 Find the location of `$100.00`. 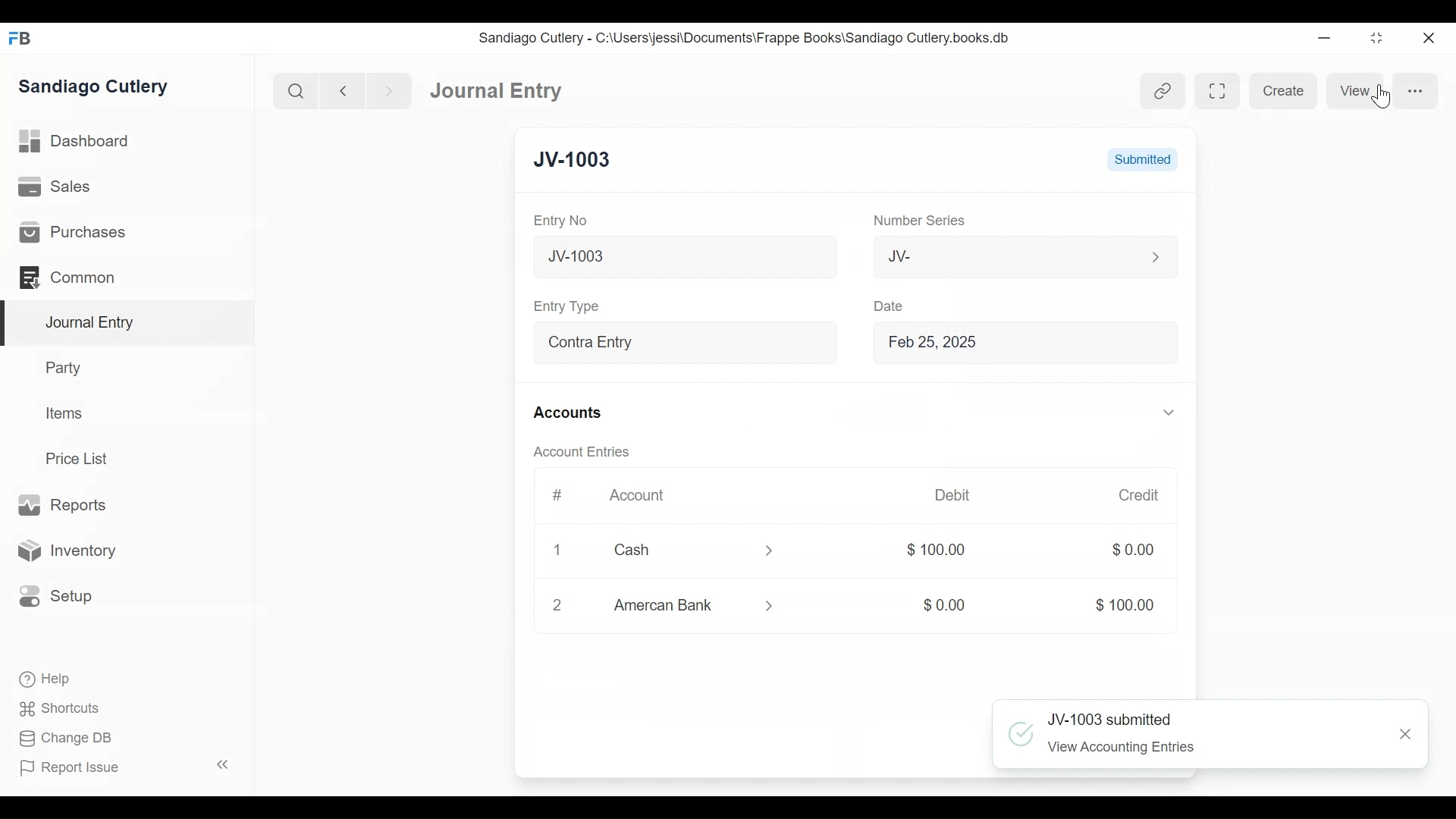

$100.00 is located at coordinates (928, 551).